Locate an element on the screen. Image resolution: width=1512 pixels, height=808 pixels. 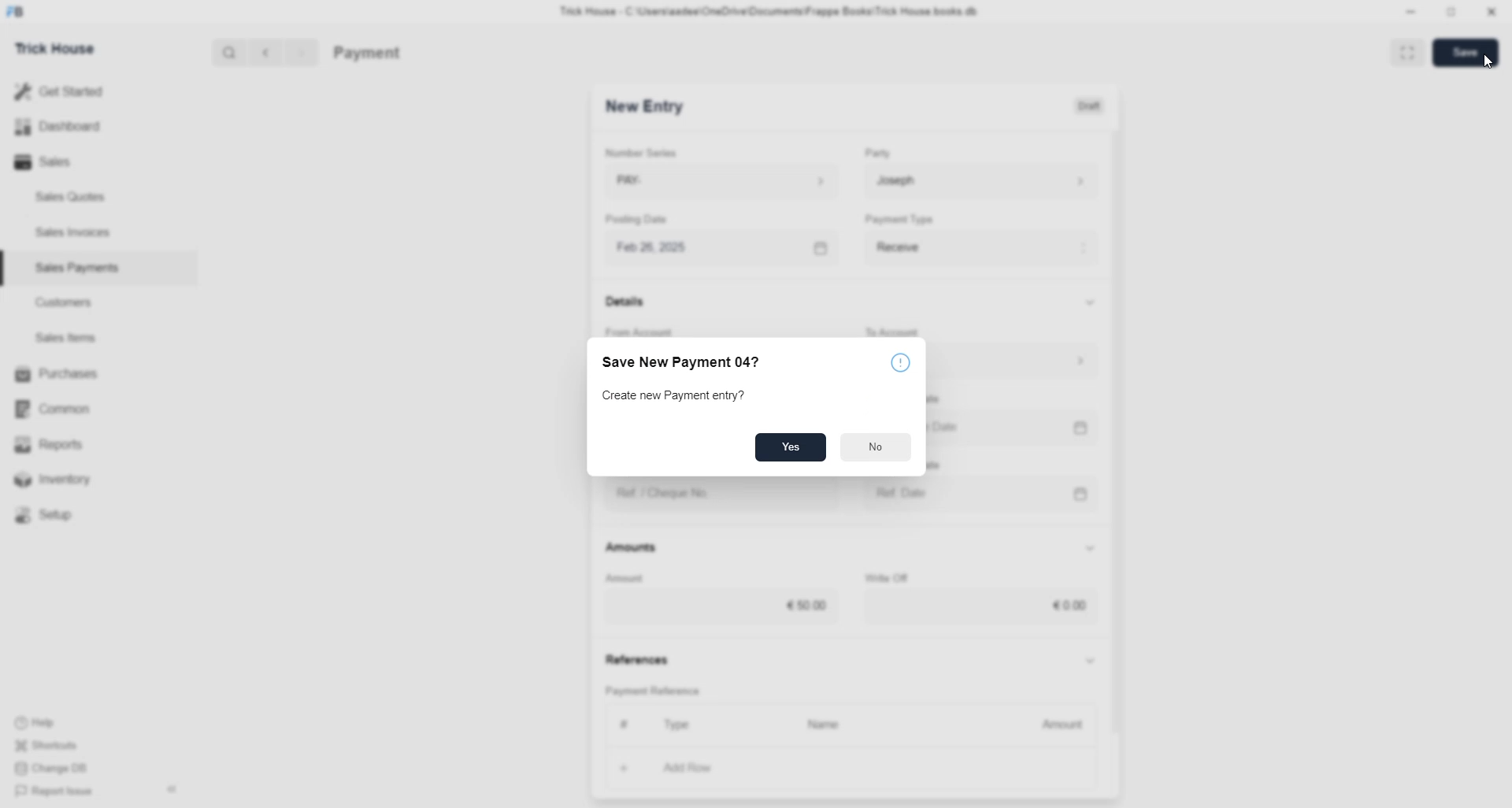
Trick House - C:\Users\aadee\OneDrive\Documents\Frappe Books\Trick House books db is located at coordinates (770, 12).